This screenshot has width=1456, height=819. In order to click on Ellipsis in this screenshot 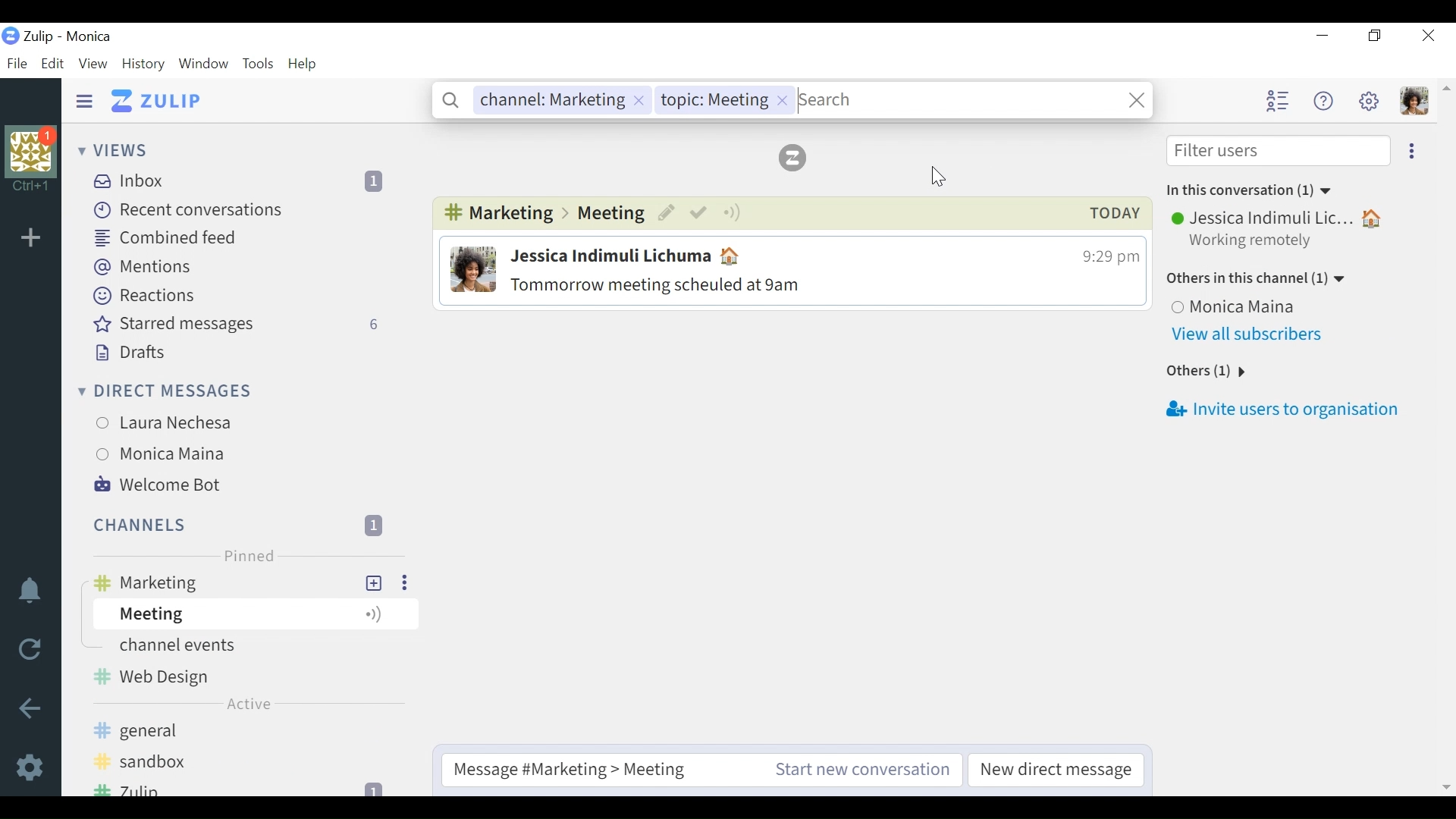, I will do `click(1412, 152)`.